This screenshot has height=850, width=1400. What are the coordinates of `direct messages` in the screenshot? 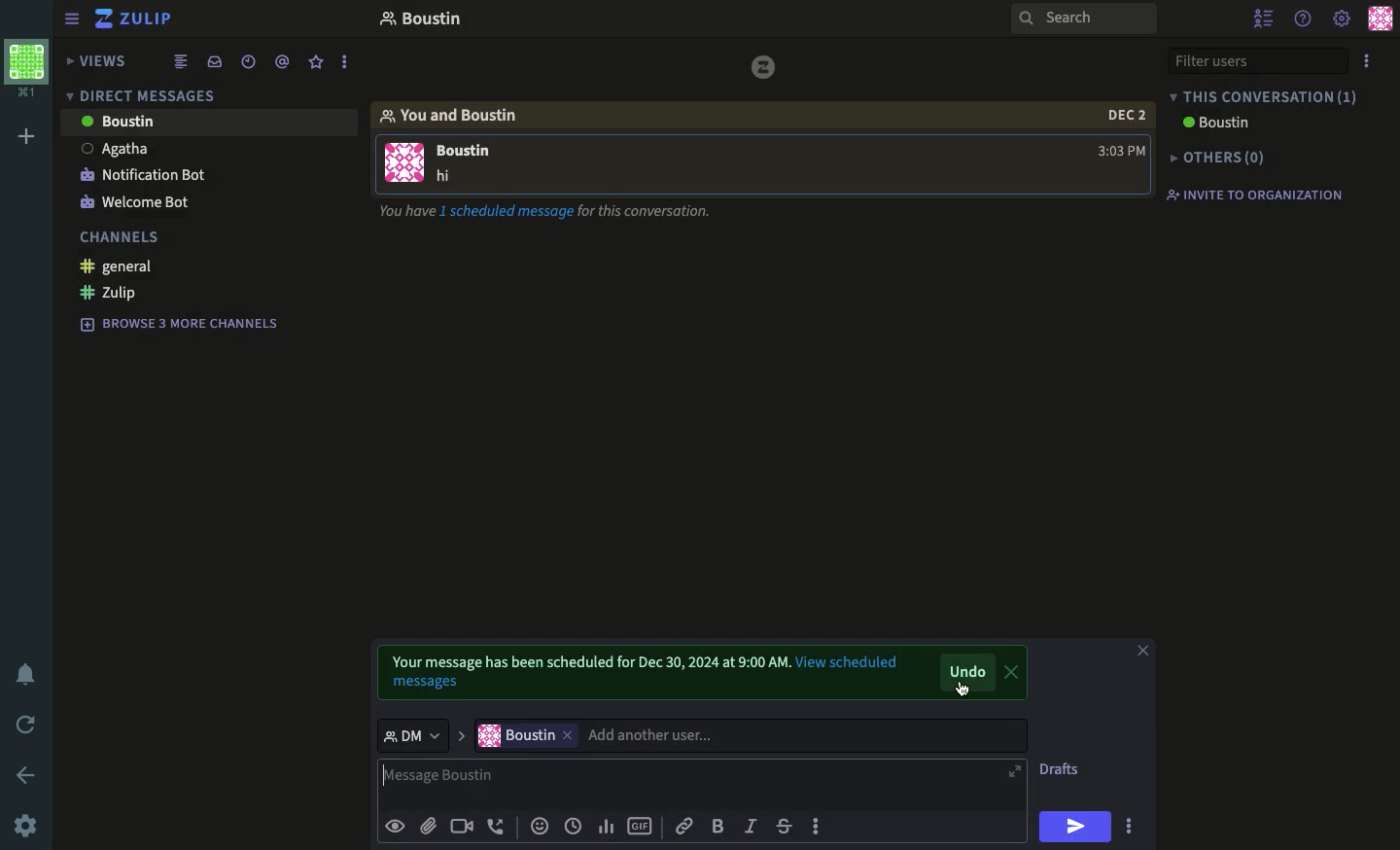 It's located at (157, 95).